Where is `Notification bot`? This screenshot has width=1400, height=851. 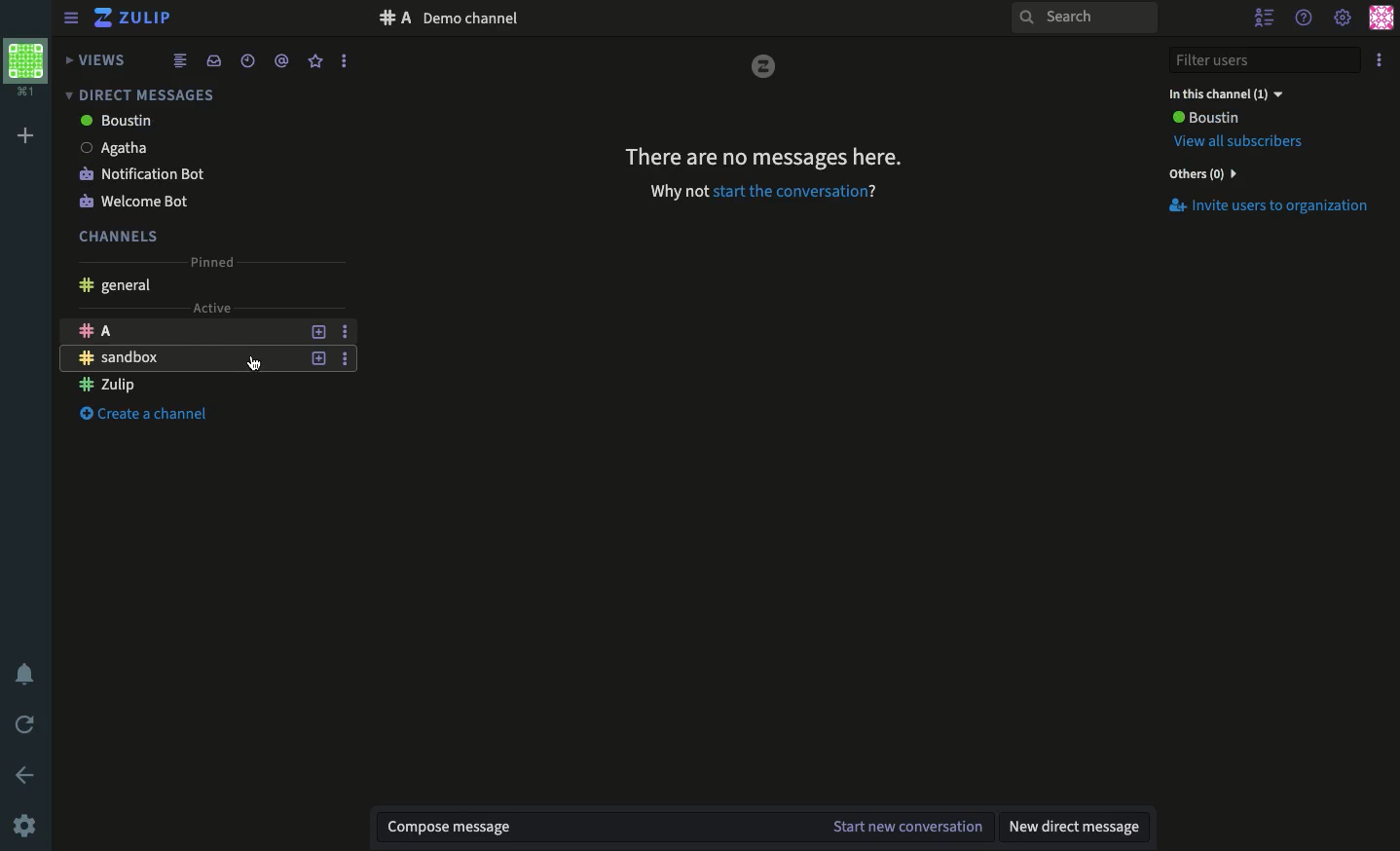 Notification bot is located at coordinates (187, 172).